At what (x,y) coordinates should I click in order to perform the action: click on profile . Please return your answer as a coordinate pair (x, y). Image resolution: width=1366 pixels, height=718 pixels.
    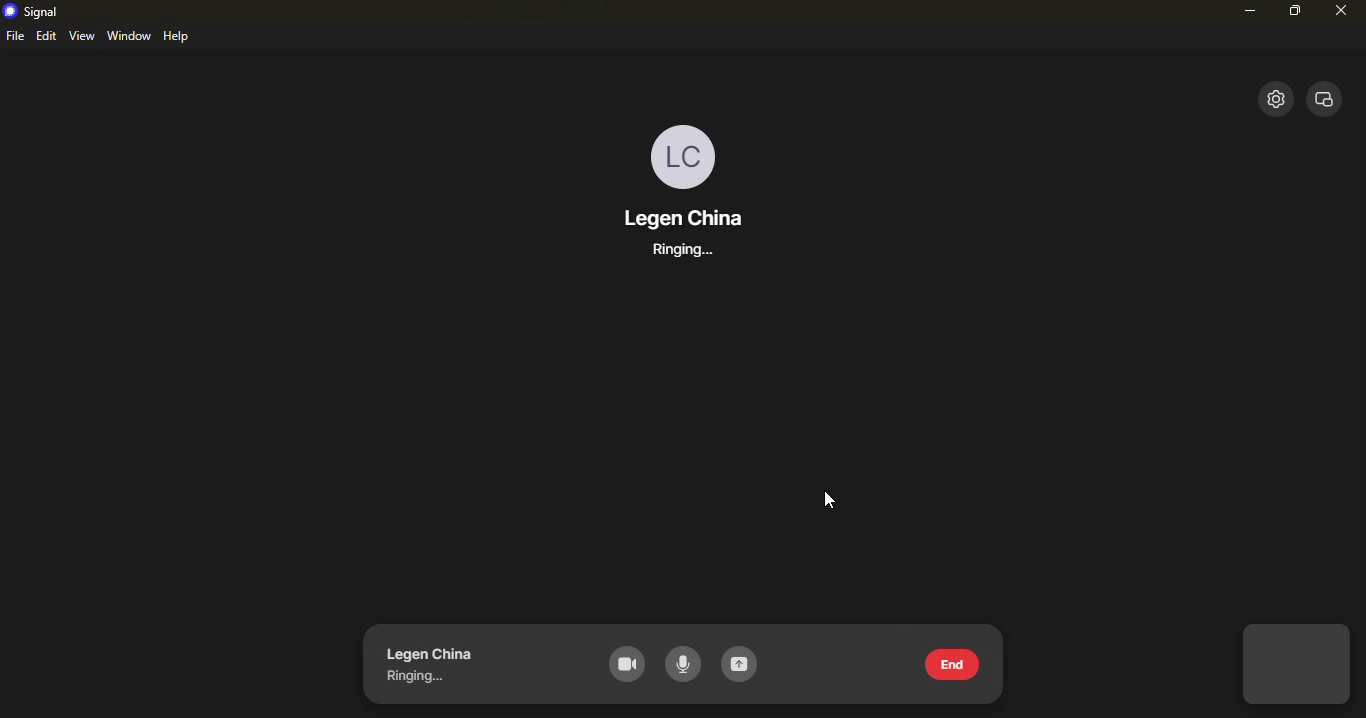
    Looking at the image, I should click on (683, 152).